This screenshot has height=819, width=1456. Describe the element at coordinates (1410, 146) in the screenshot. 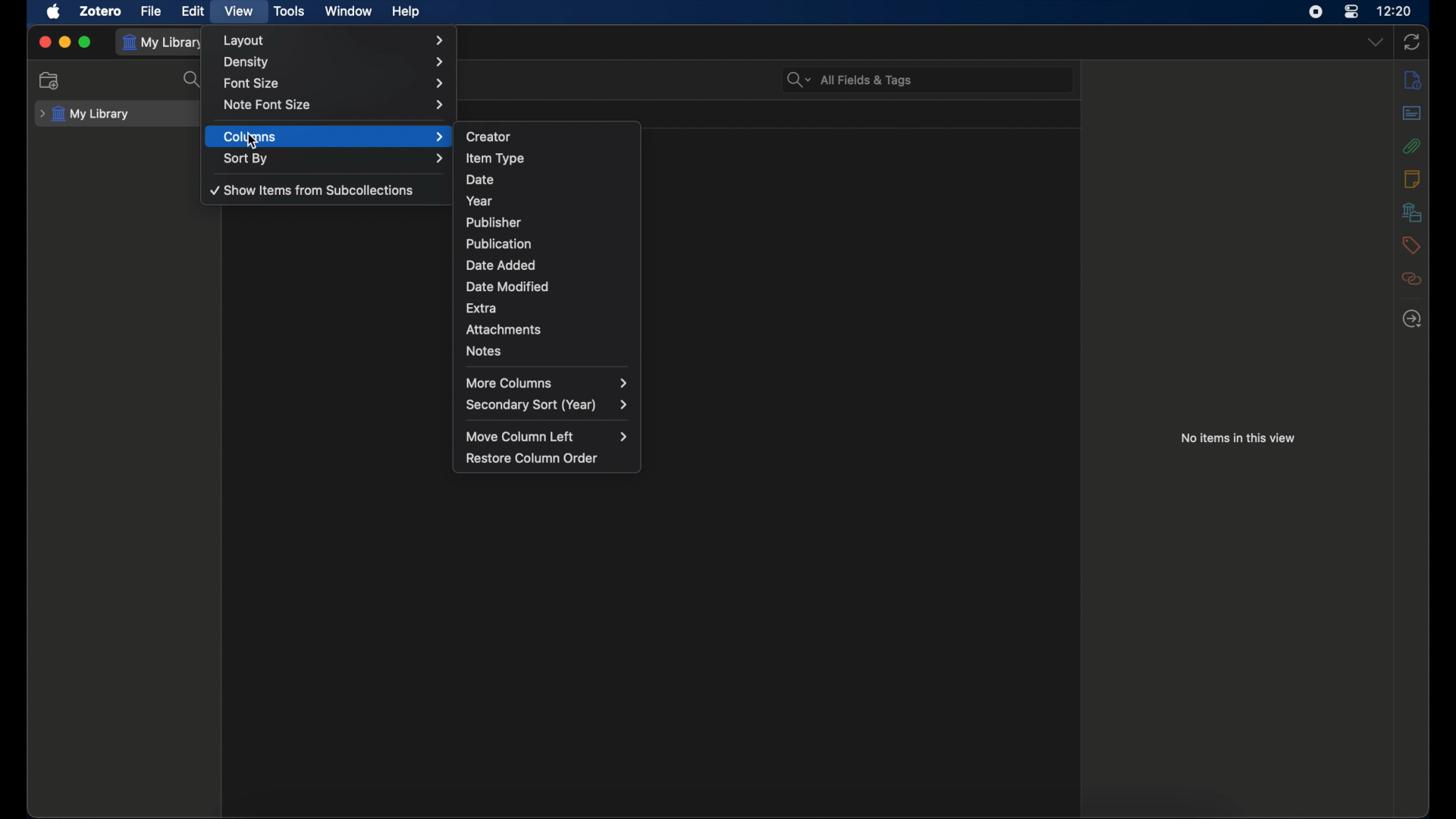

I see `attachments` at that location.